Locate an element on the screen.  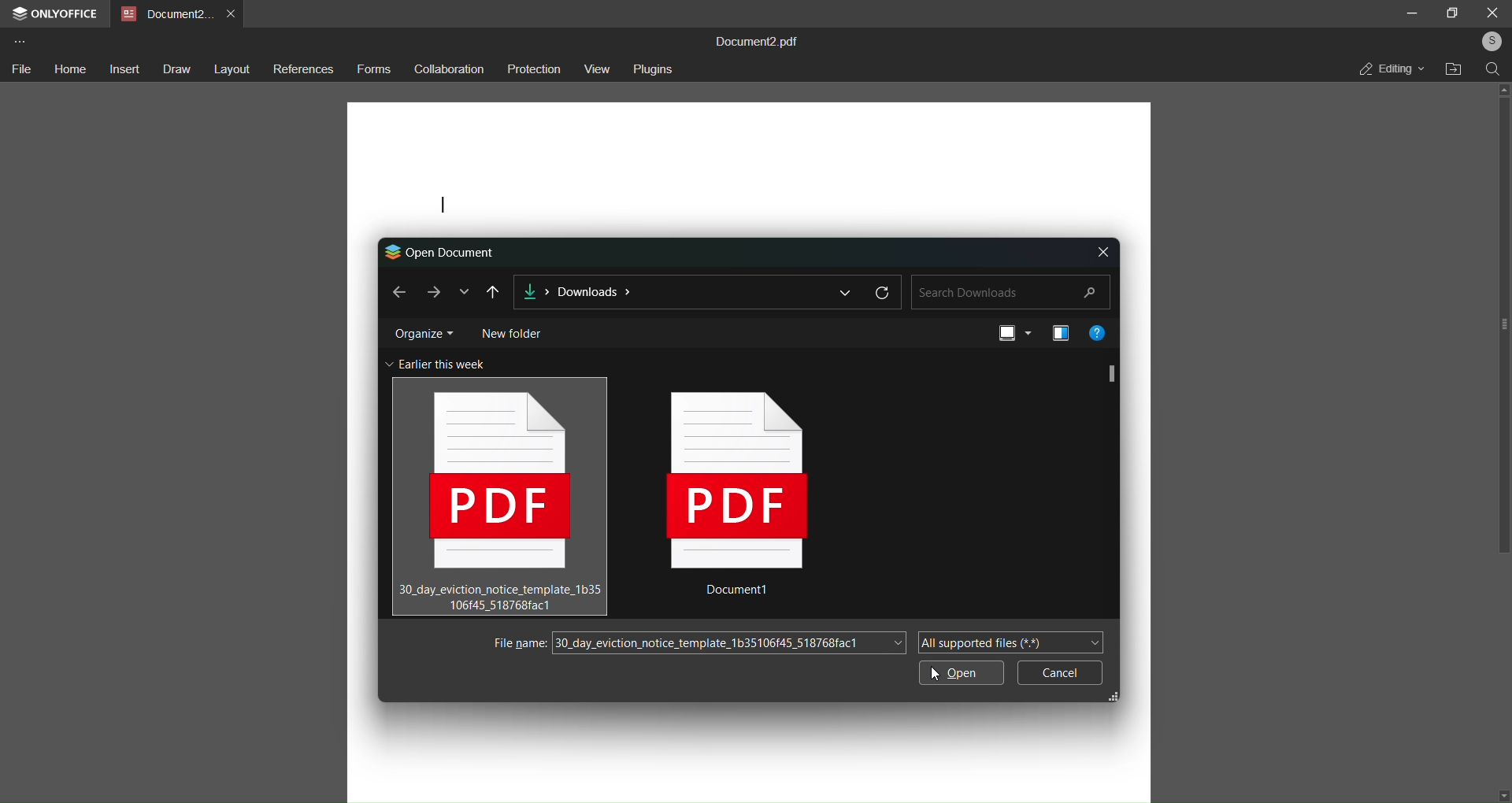
title is located at coordinates (763, 40).